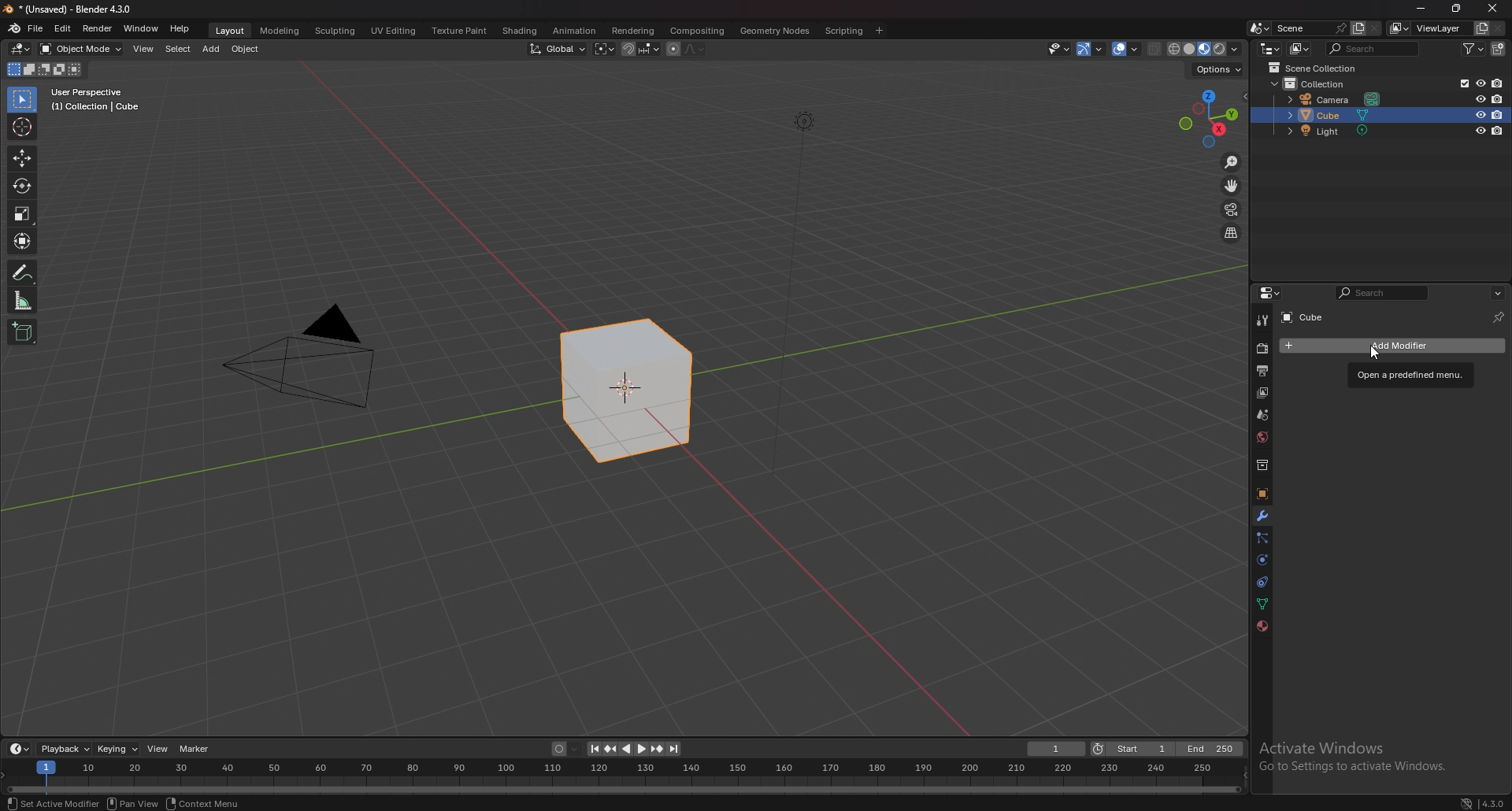  I want to click on minimize, so click(1421, 9).